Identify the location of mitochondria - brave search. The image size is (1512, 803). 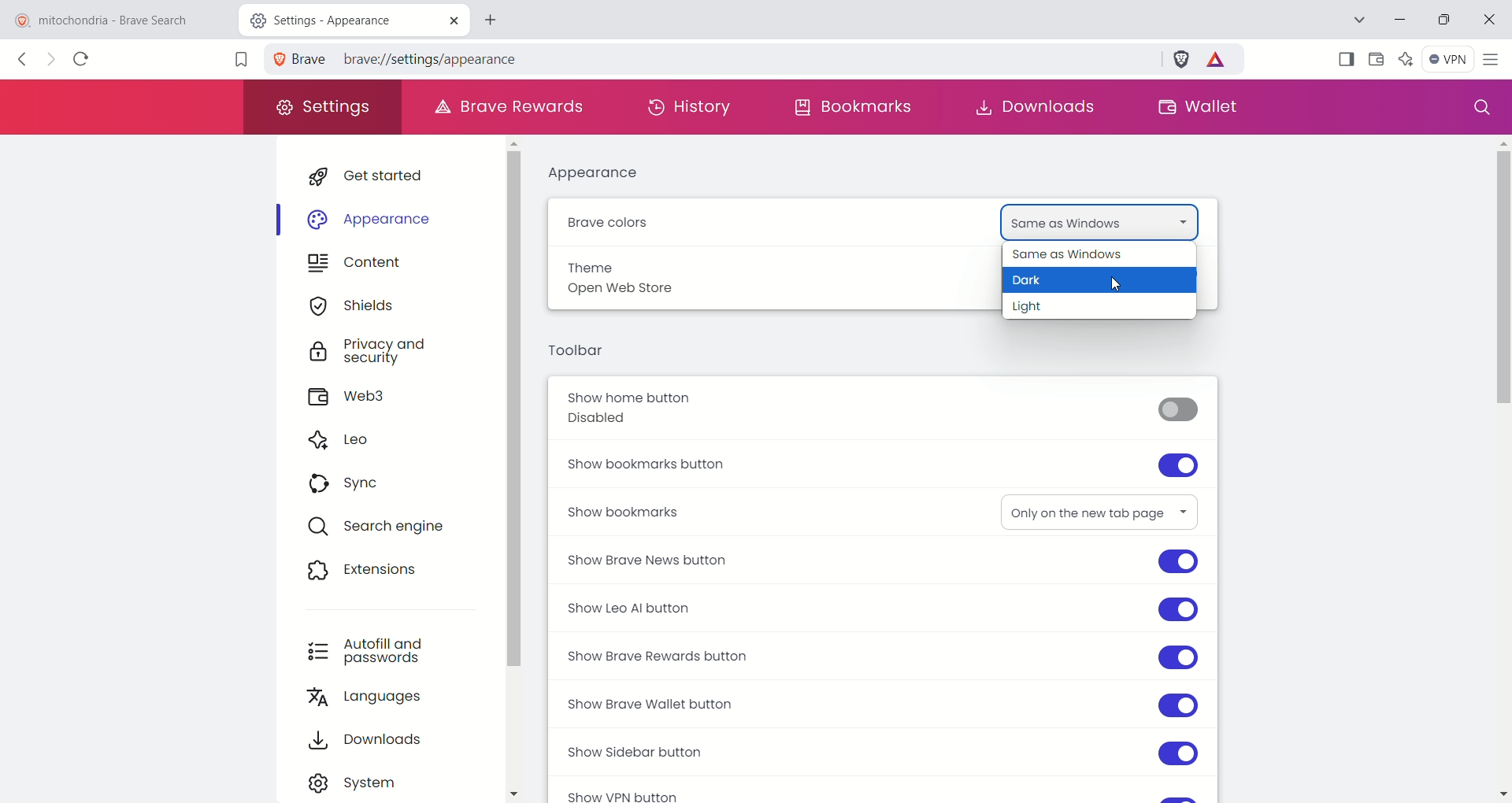
(116, 19).